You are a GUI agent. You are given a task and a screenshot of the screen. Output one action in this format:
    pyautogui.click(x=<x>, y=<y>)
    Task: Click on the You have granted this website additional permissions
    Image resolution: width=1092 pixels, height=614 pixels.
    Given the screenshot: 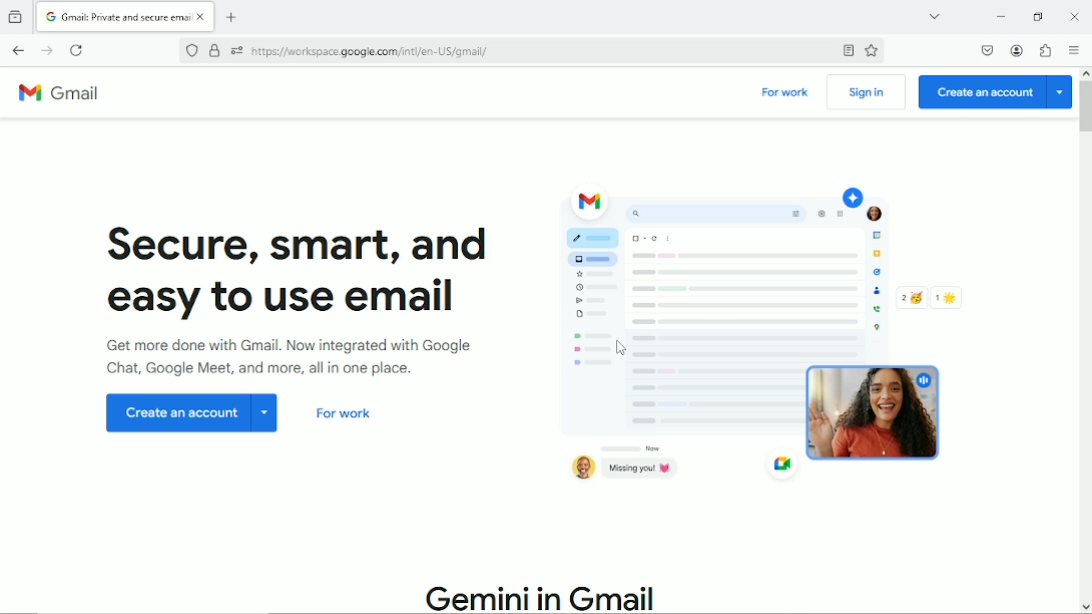 What is the action you would take?
    pyautogui.click(x=235, y=51)
    